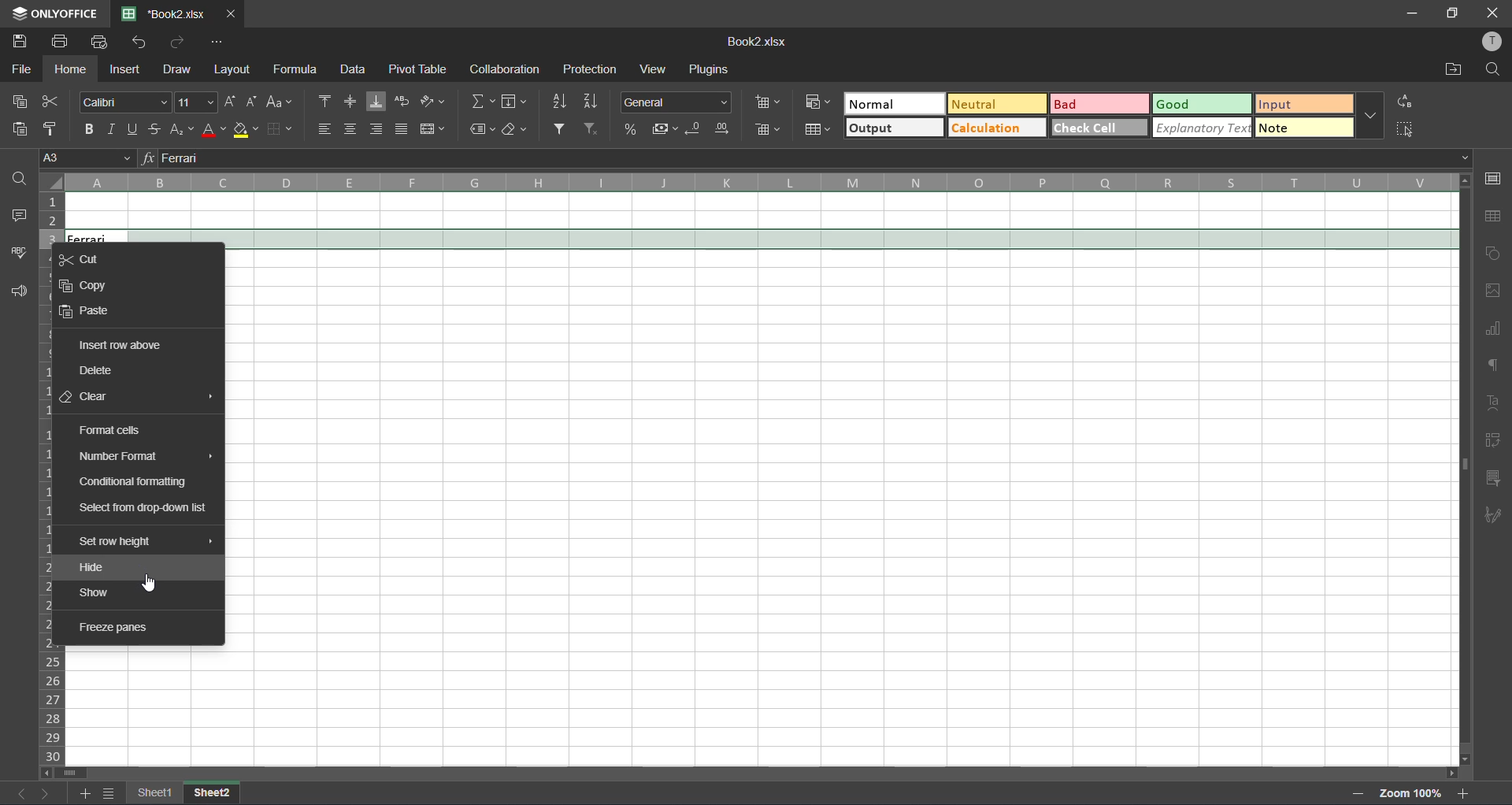 The width and height of the screenshot is (1512, 805). What do you see at coordinates (1295, 128) in the screenshot?
I see `note` at bounding box center [1295, 128].